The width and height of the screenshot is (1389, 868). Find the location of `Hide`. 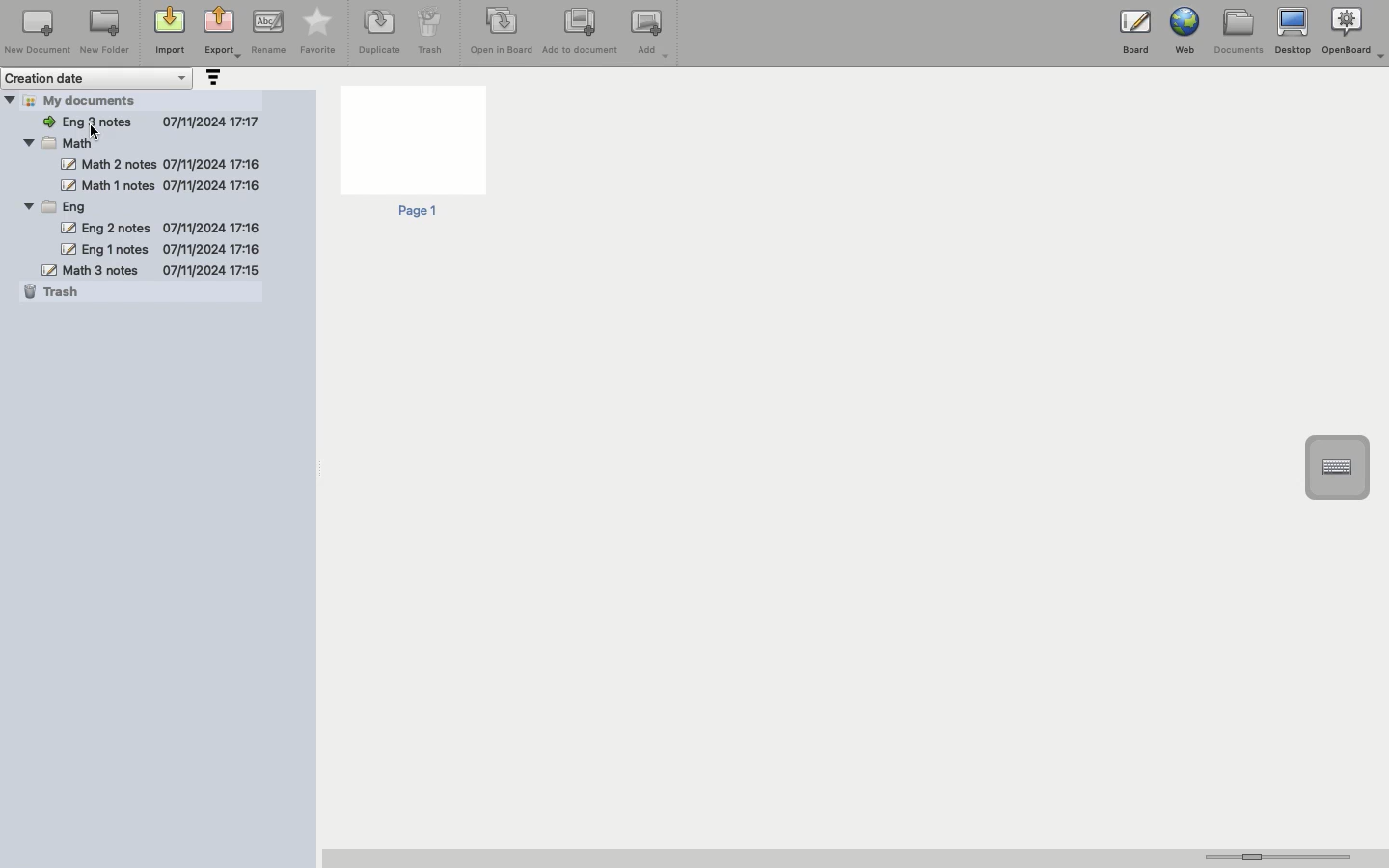

Hide is located at coordinates (27, 140).